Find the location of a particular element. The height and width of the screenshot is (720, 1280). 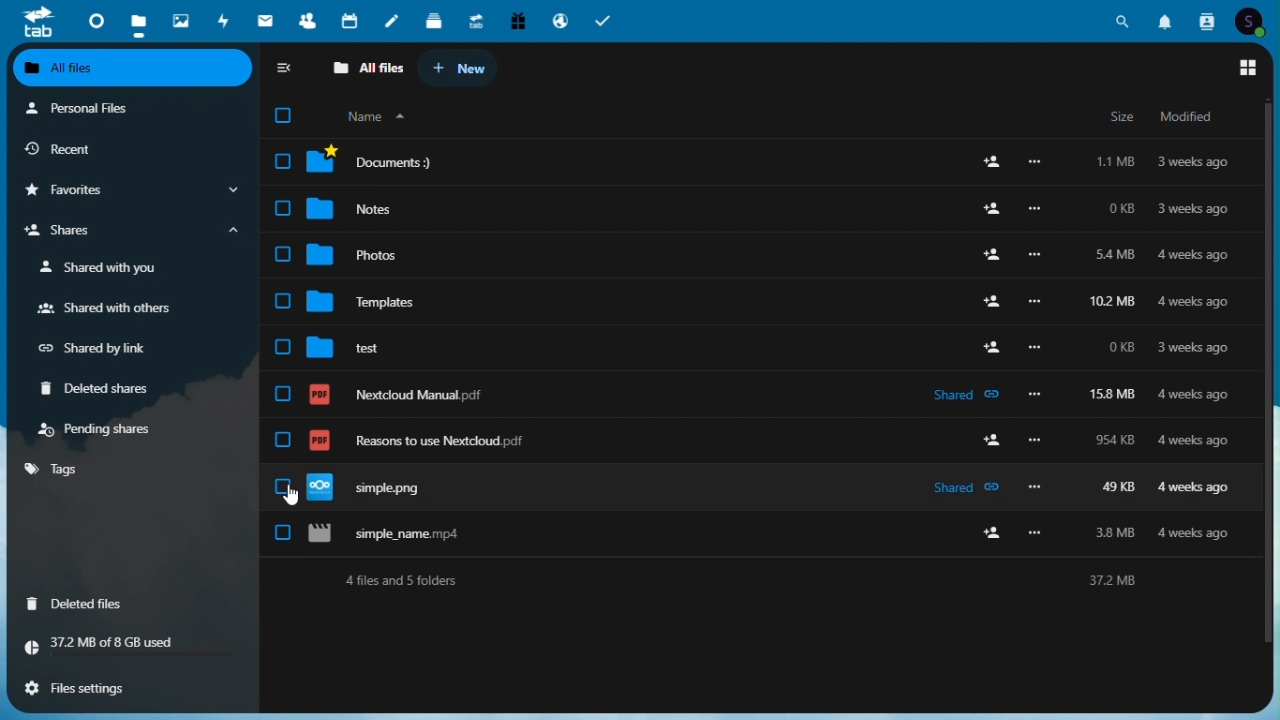

4 files and 5 folders is located at coordinates (762, 580).